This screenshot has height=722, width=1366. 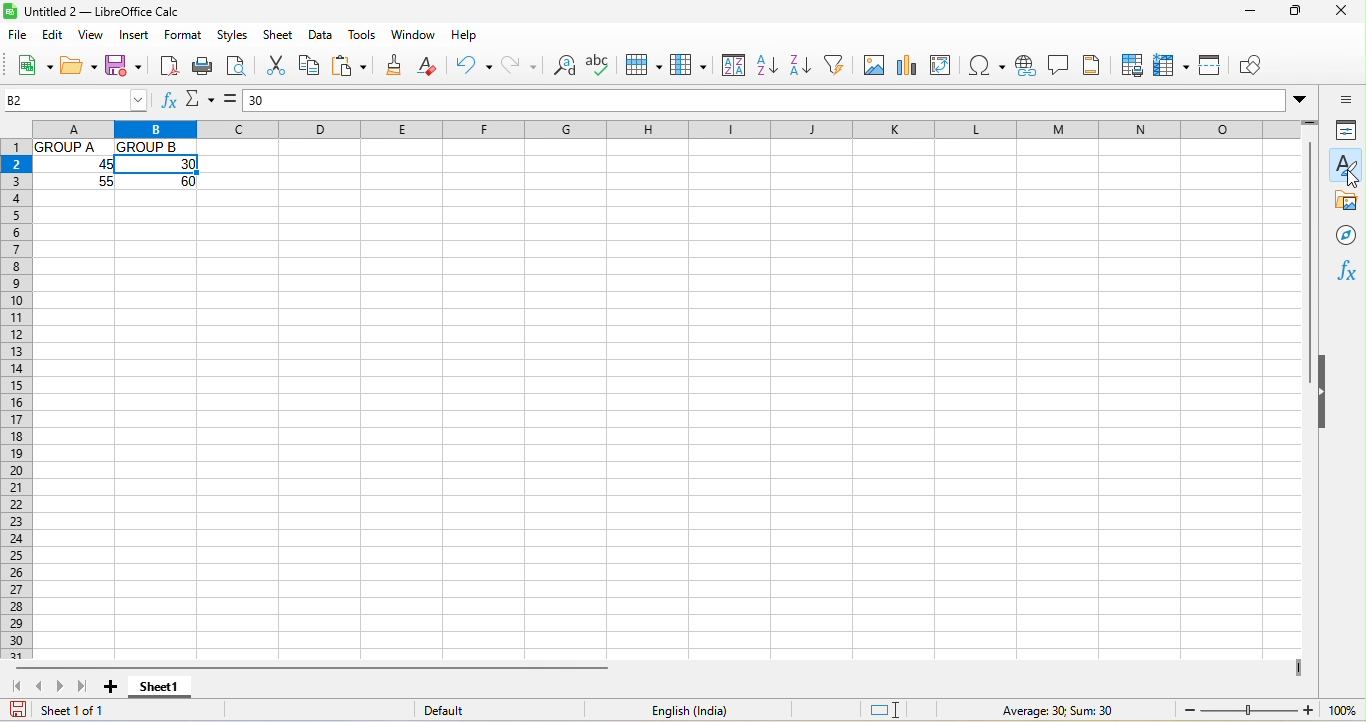 What do you see at coordinates (1344, 163) in the screenshot?
I see `style` at bounding box center [1344, 163].